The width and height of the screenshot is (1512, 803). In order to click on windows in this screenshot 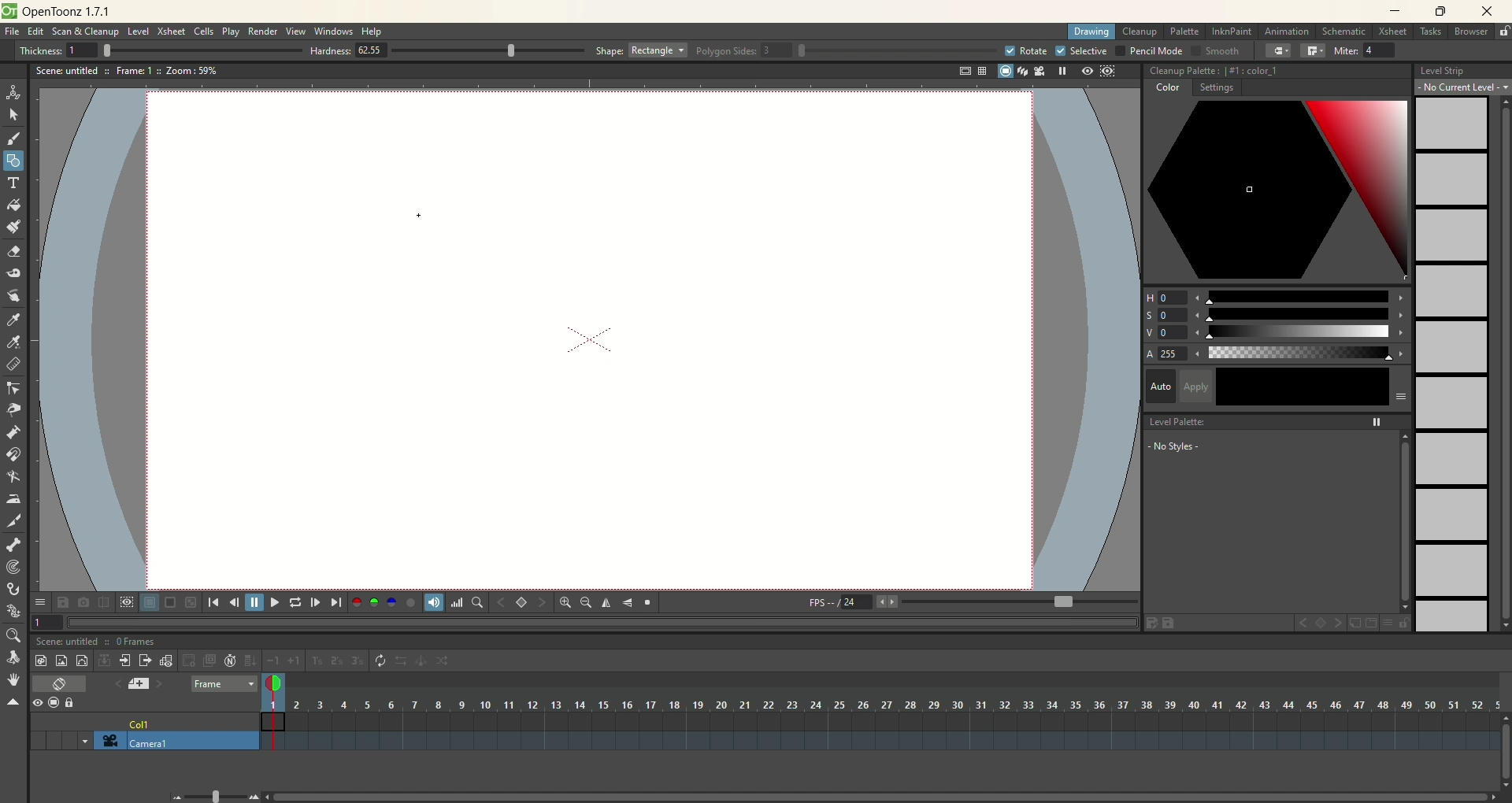, I will do `click(335, 31)`.